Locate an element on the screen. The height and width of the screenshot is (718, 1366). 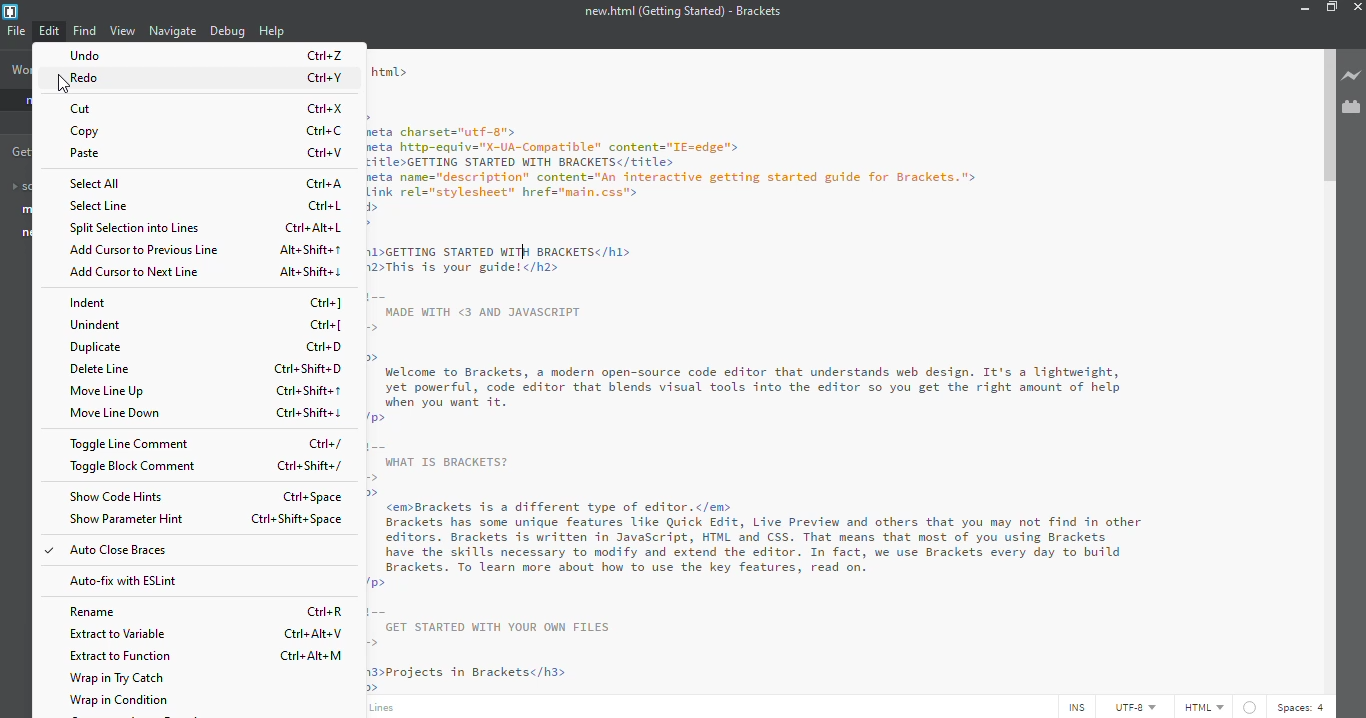
ctrl+alt+v is located at coordinates (313, 633).